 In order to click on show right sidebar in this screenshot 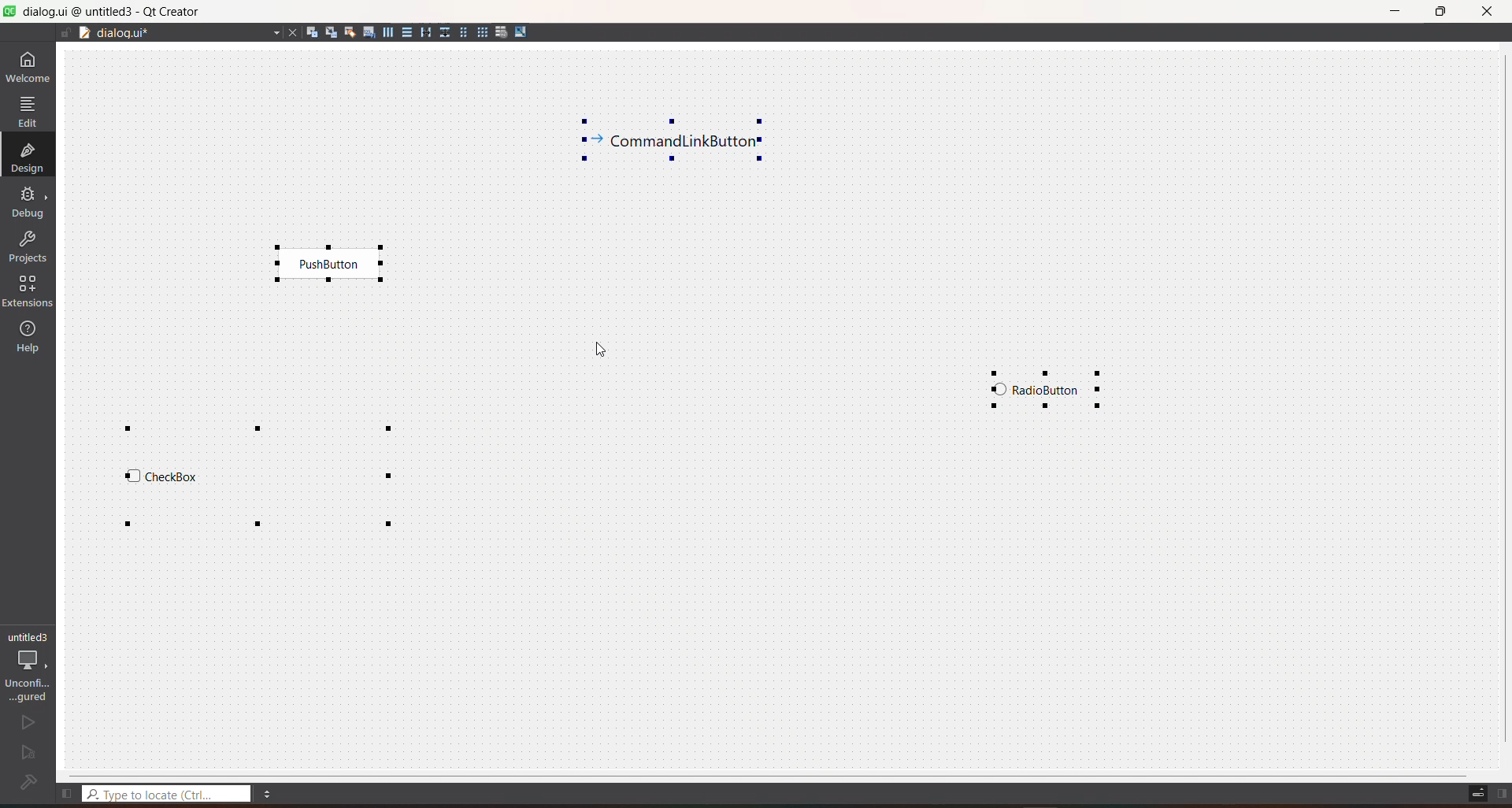, I will do `click(1502, 786)`.